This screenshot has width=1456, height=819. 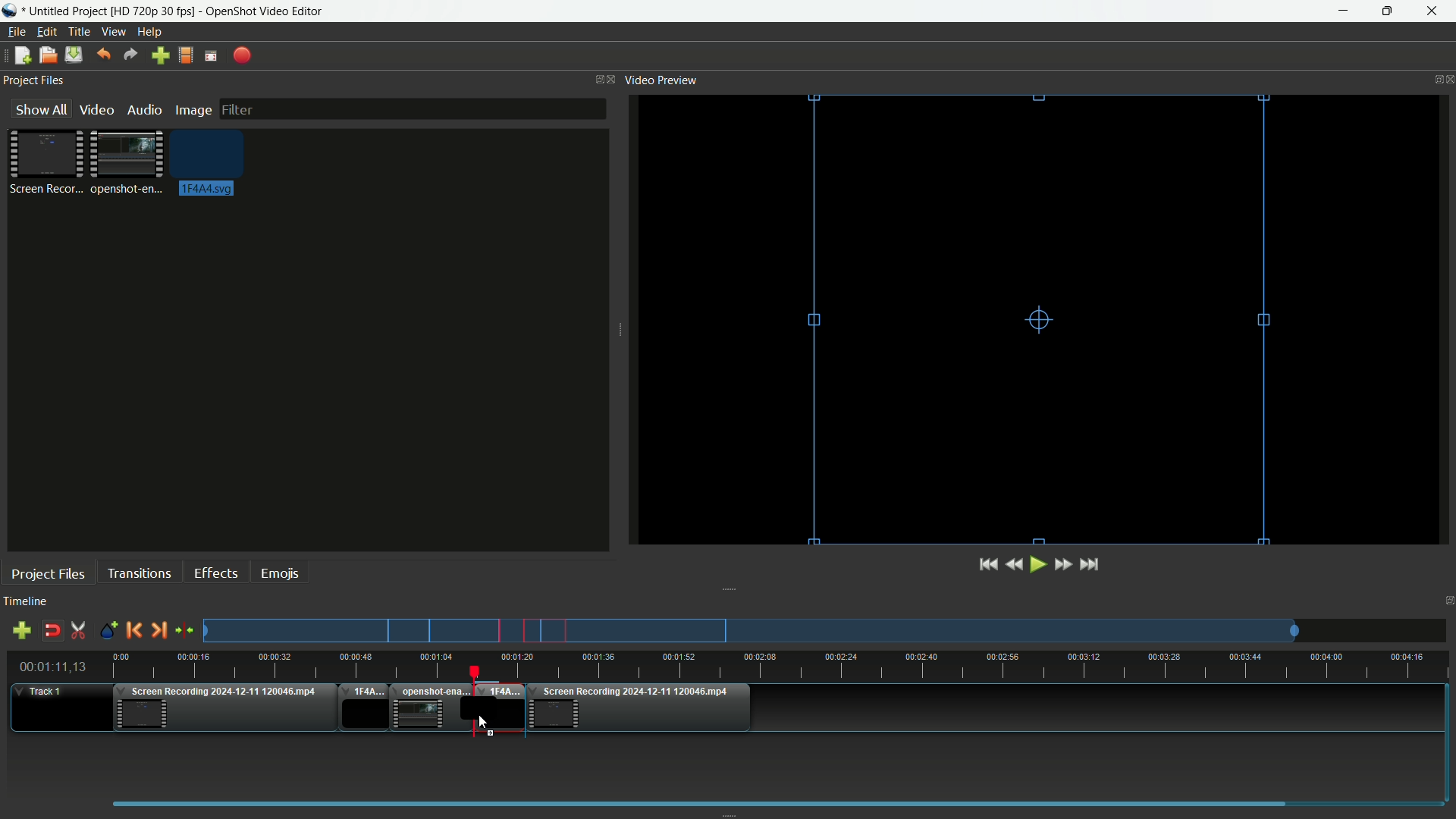 What do you see at coordinates (133, 630) in the screenshot?
I see `Previous marker` at bounding box center [133, 630].